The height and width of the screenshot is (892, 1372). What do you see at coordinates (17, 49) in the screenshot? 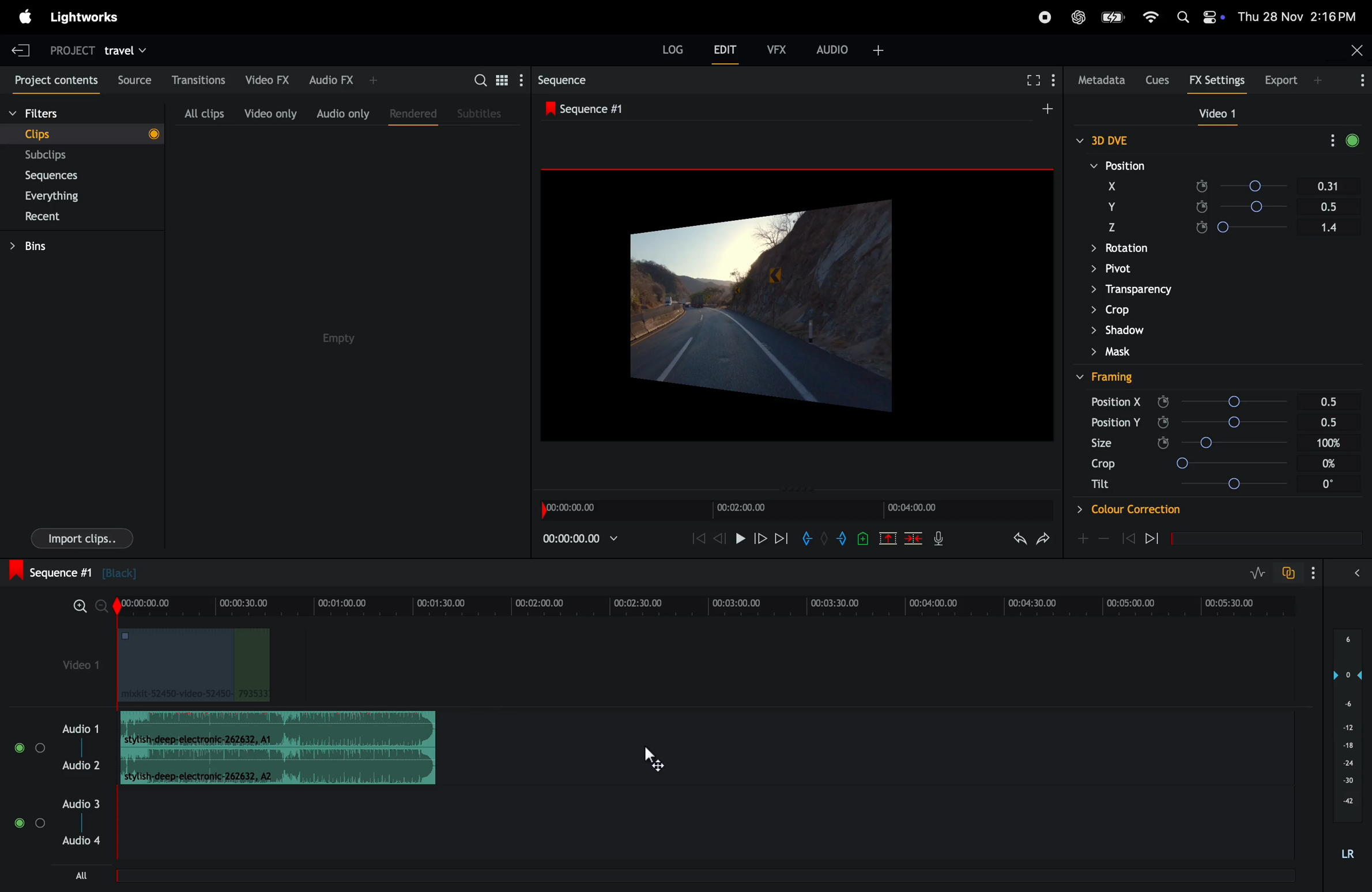
I see `exit` at bounding box center [17, 49].